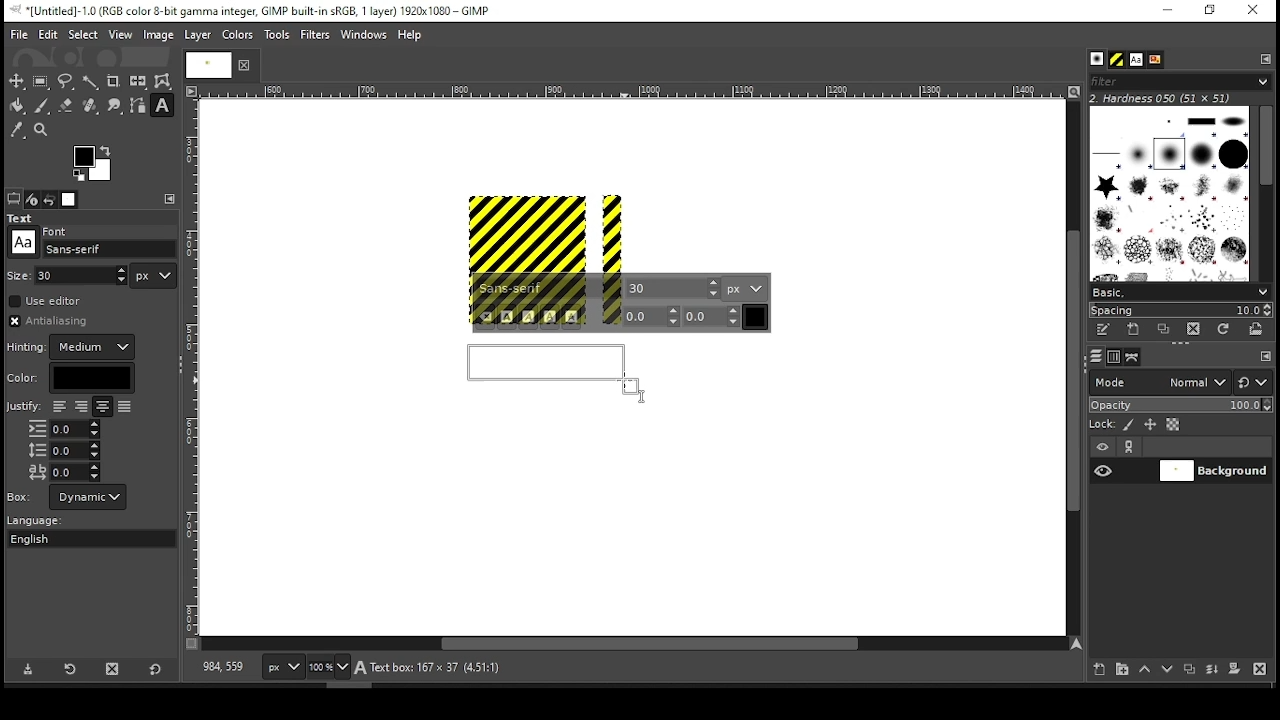 The image size is (1280, 720). I want to click on , so click(20, 496).